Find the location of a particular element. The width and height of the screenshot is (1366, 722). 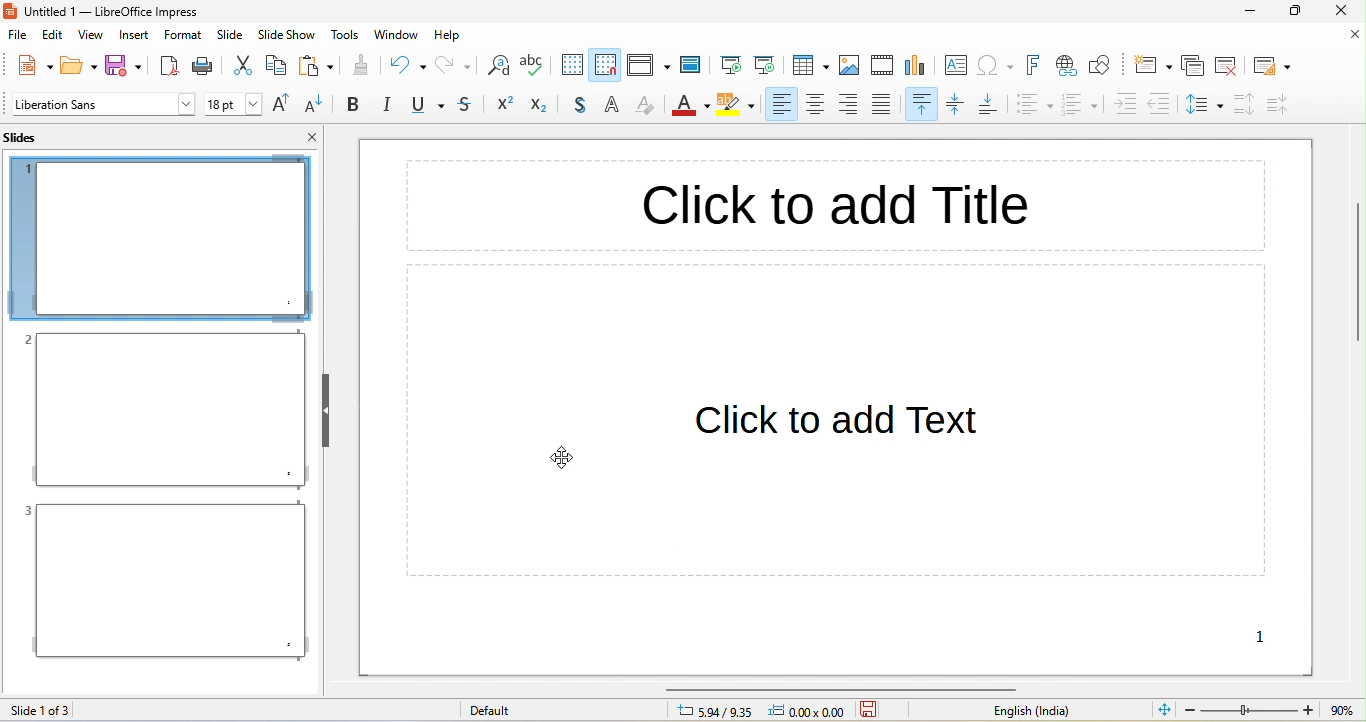

spelling is located at coordinates (534, 67).